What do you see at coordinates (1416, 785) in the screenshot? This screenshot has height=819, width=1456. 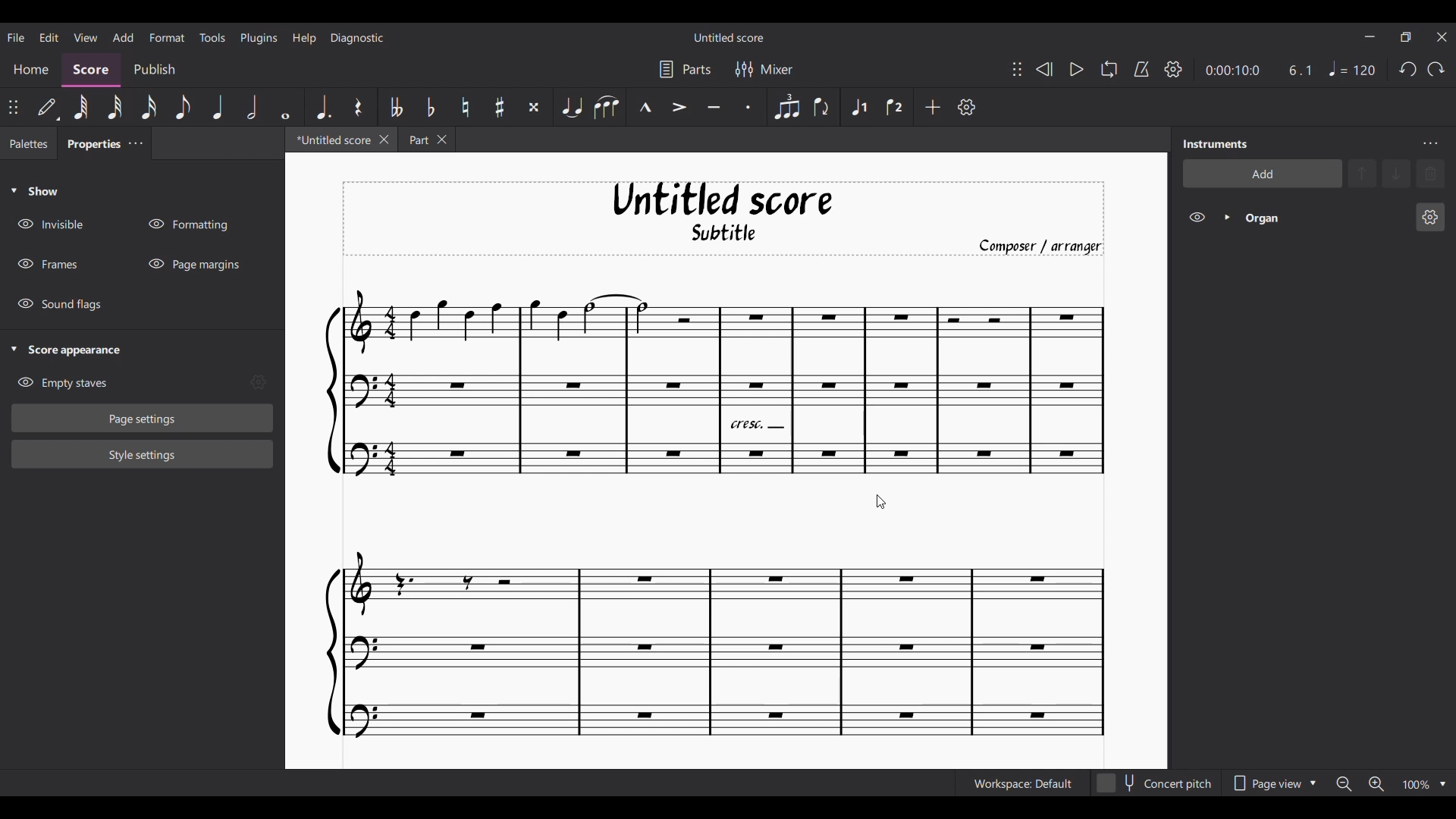 I see `Zoom factor` at bounding box center [1416, 785].